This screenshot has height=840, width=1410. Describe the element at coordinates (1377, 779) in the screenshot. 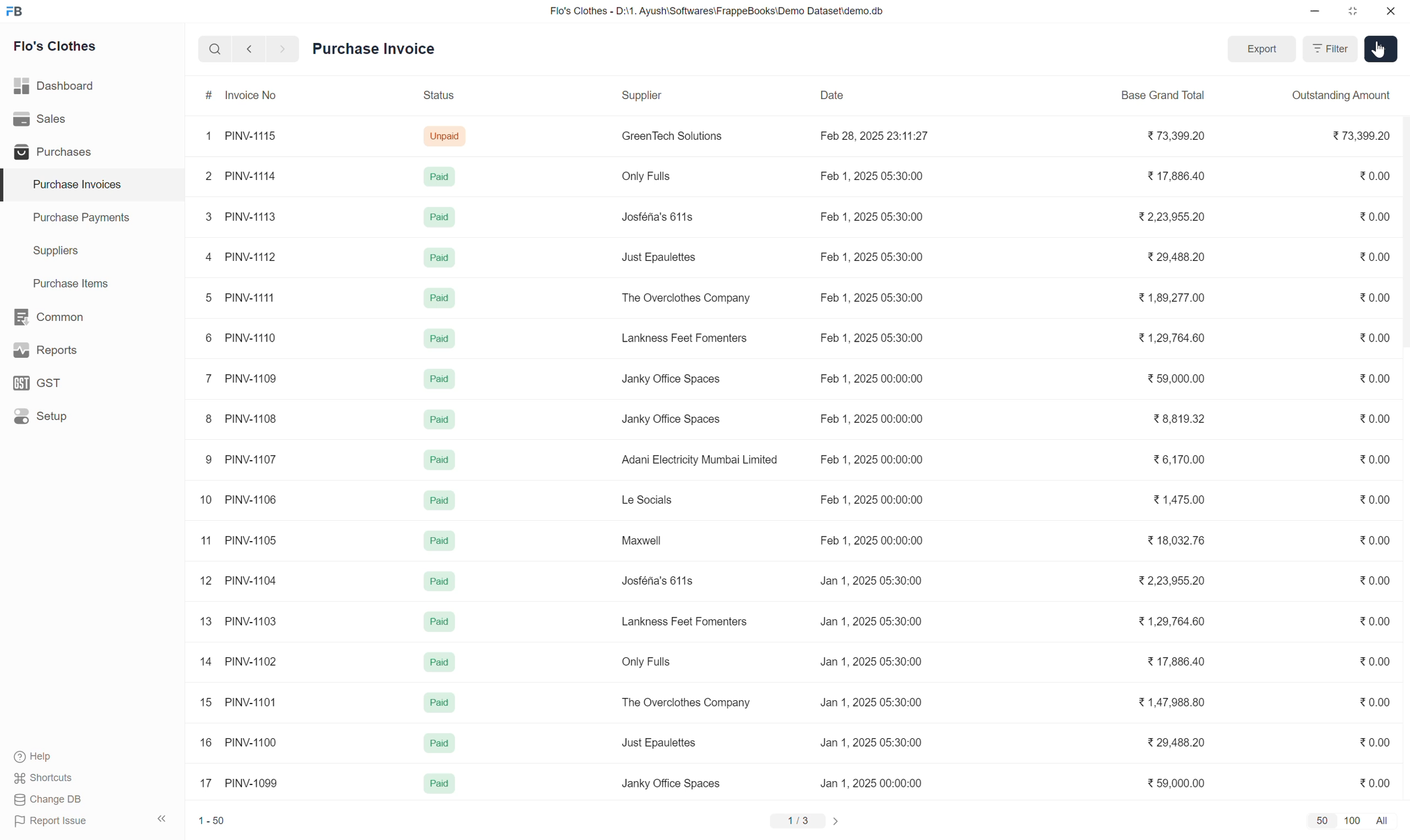

I see `Rs. 0.00` at that location.